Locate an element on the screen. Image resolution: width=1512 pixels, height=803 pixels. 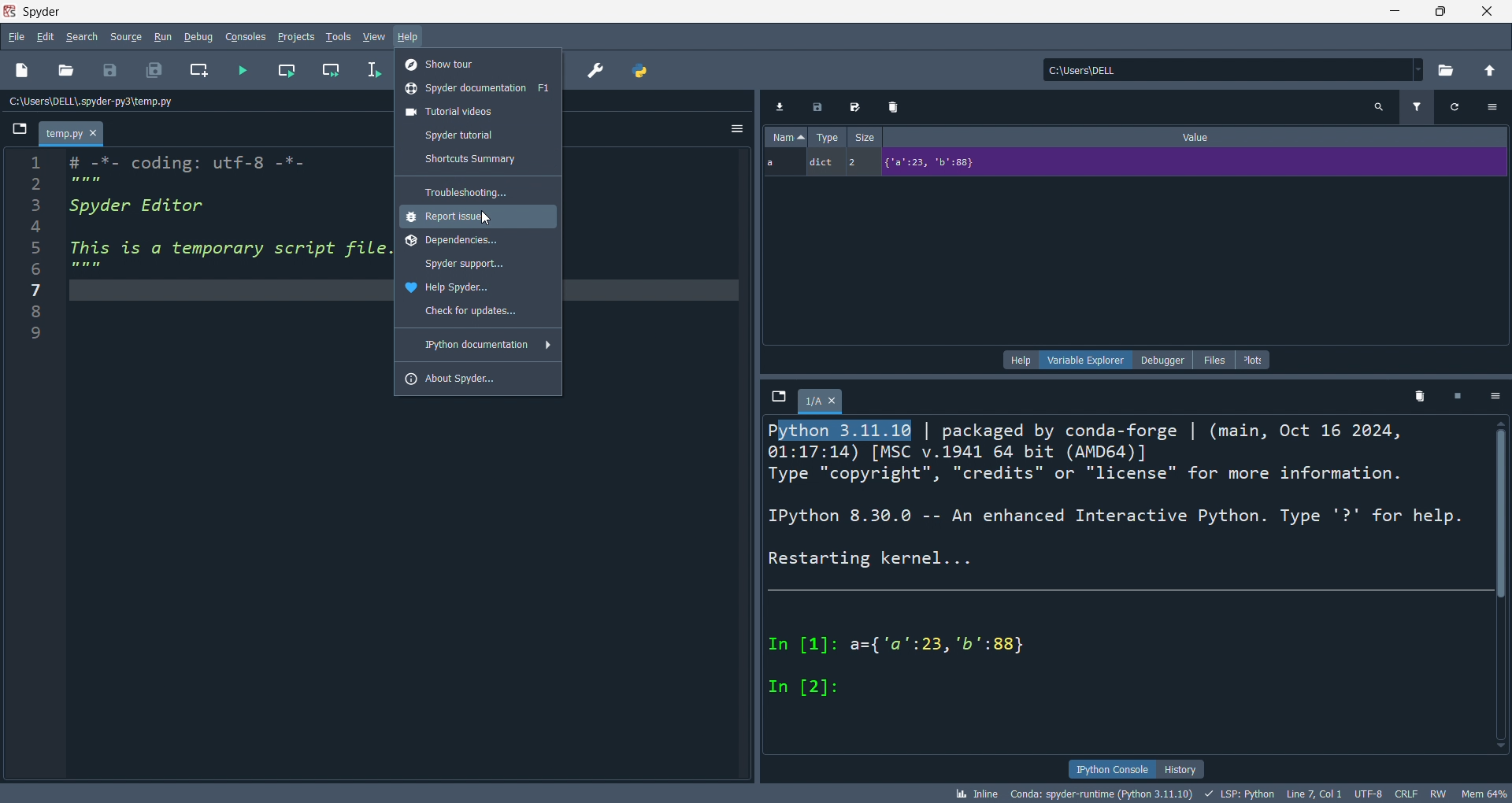
updates check is located at coordinates (479, 312).